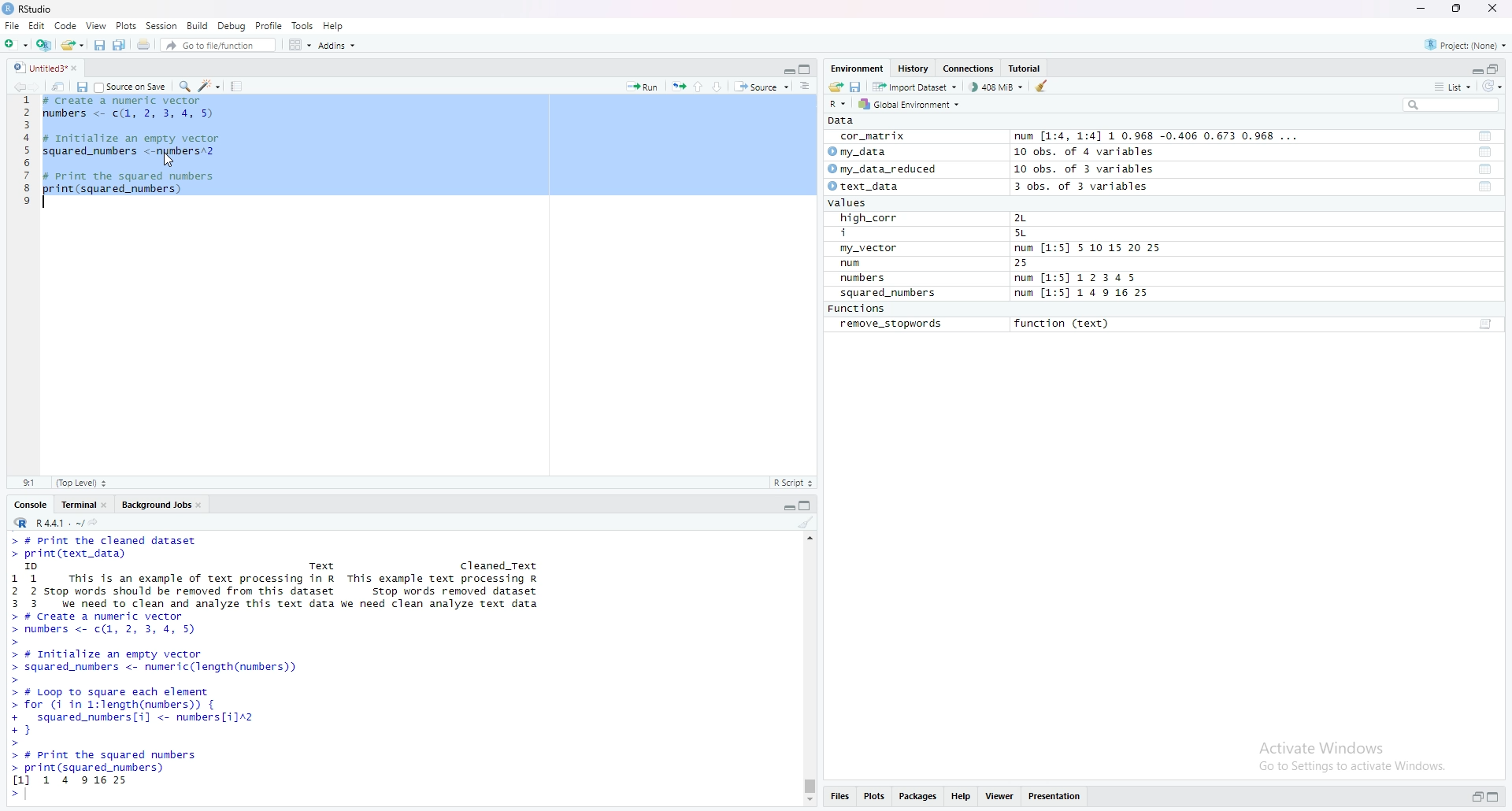 The height and width of the screenshot is (811, 1512). What do you see at coordinates (1043, 86) in the screenshot?
I see `clear objects` at bounding box center [1043, 86].